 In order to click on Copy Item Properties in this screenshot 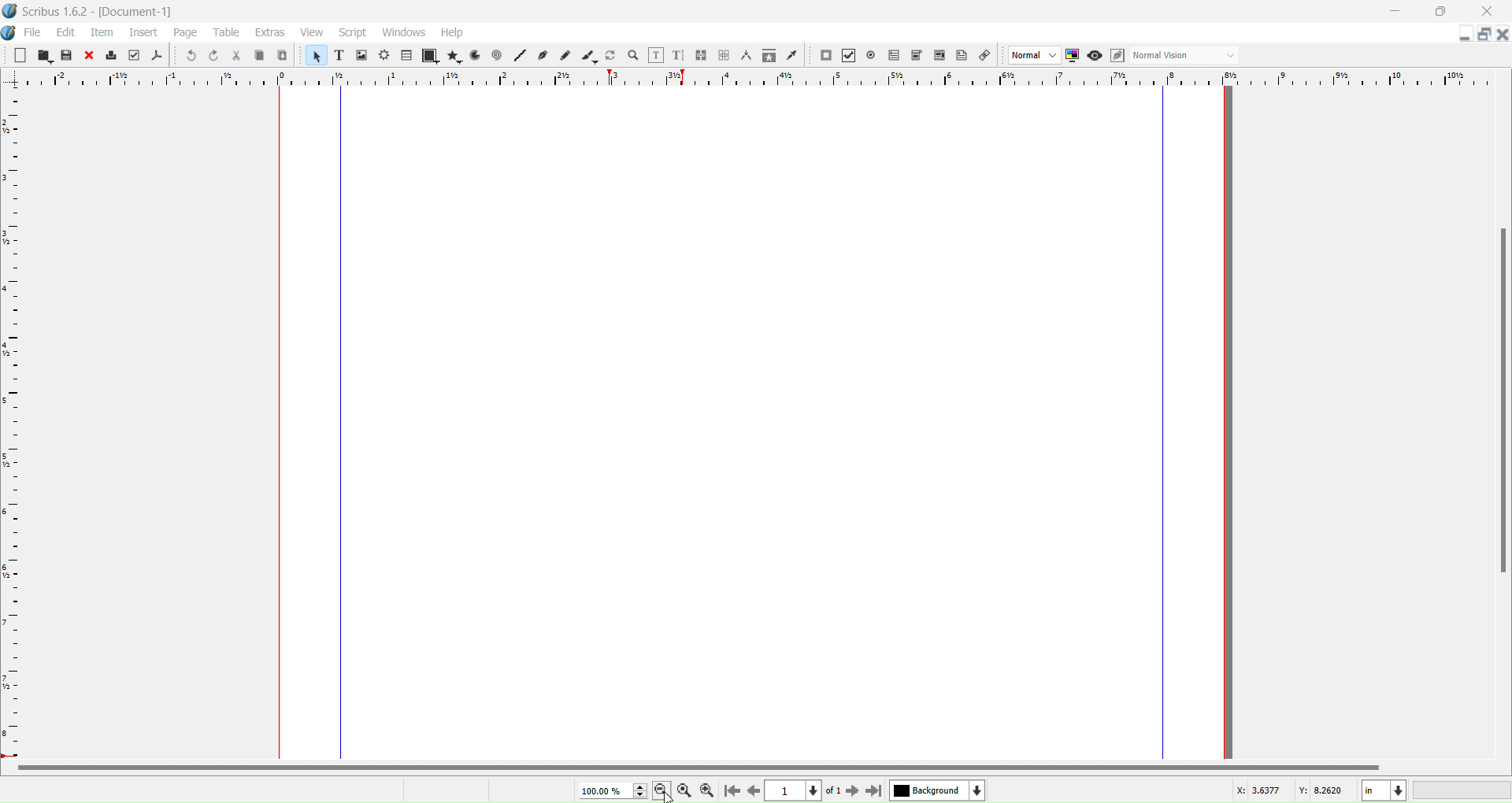, I will do `click(768, 56)`.